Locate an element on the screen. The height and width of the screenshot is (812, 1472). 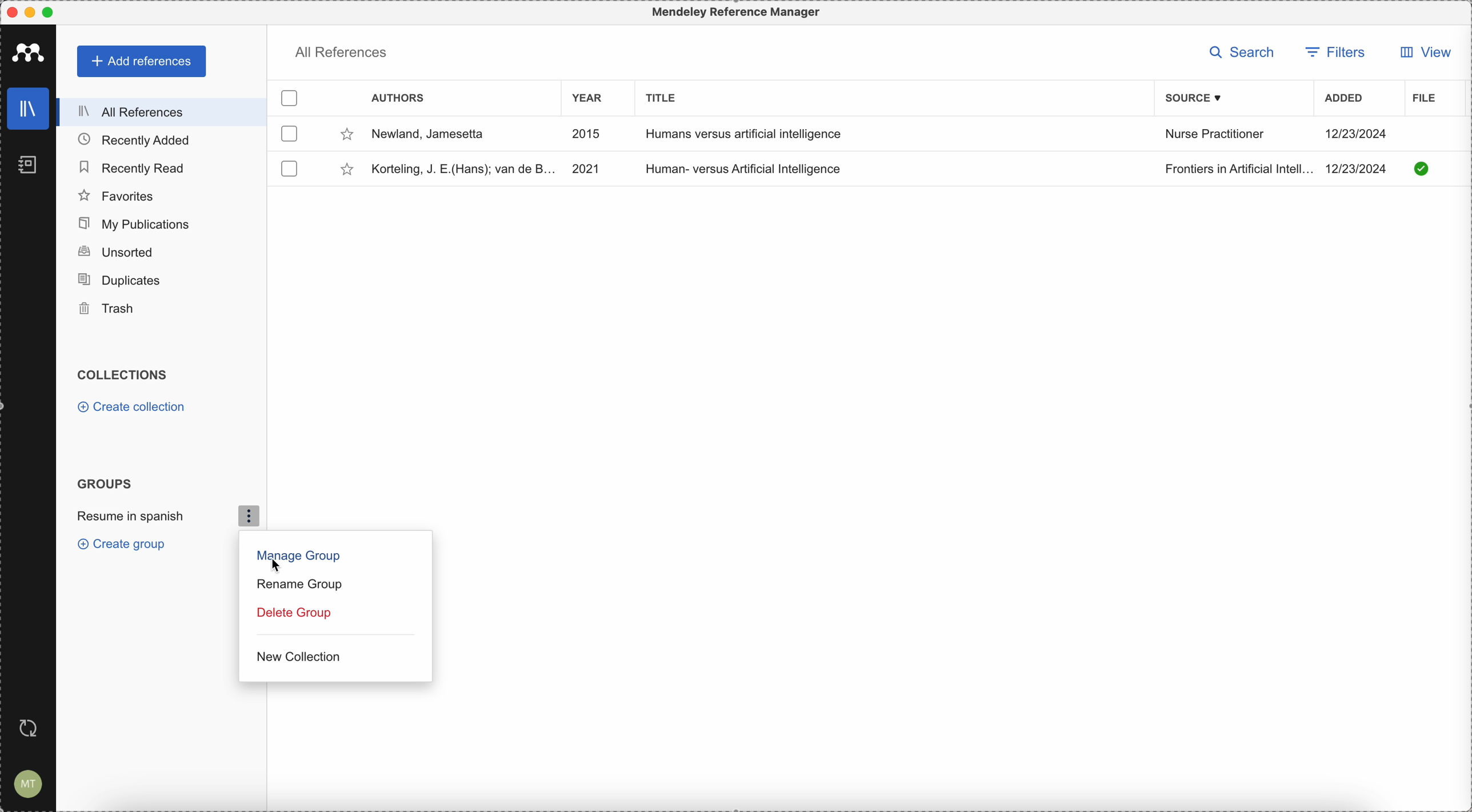
Nurse Practitioner is located at coordinates (1214, 136).